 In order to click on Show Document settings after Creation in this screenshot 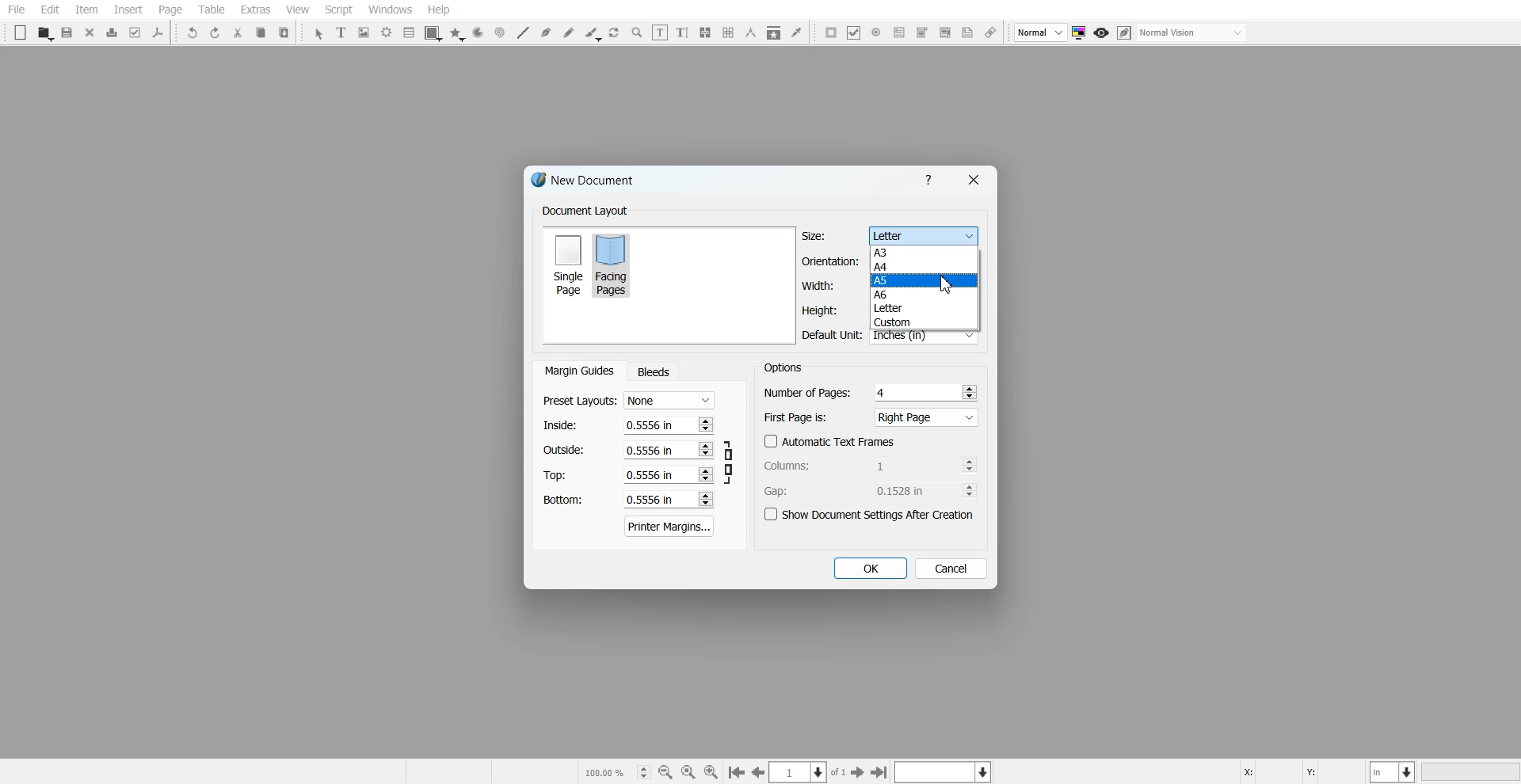, I will do `click(871, 515)`.